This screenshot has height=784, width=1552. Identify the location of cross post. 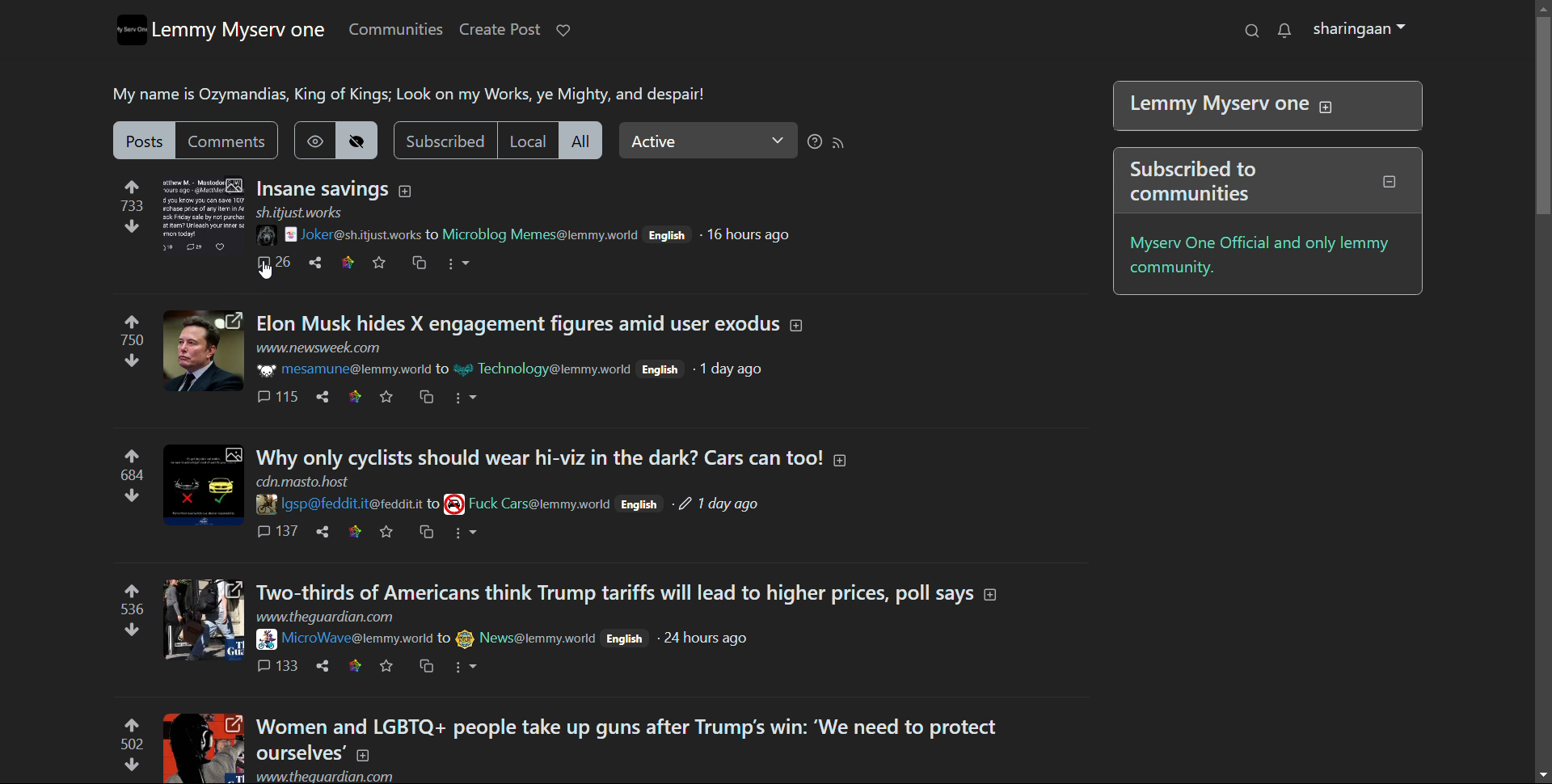
(420, 262).